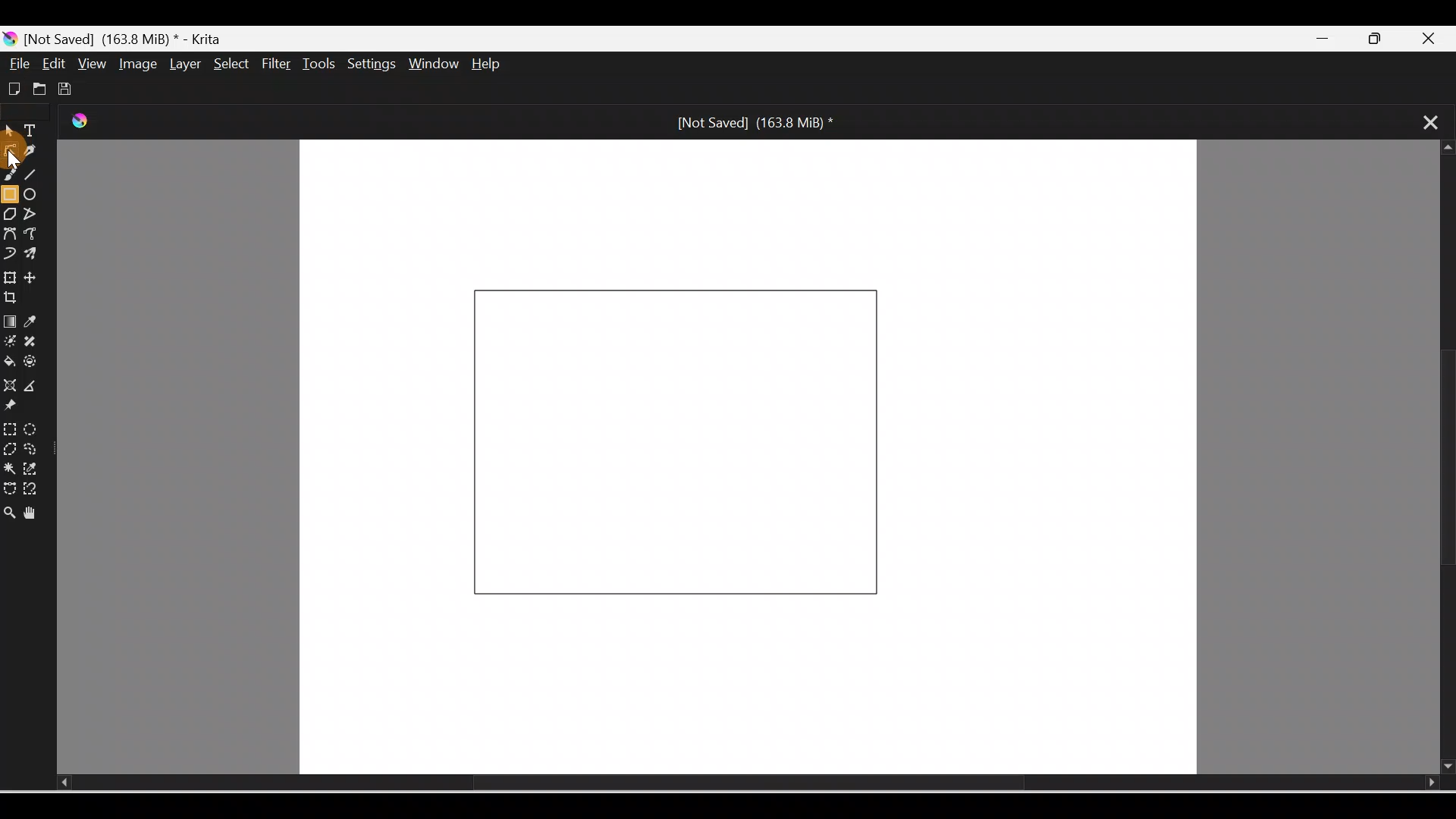 This screenshot has width=1456, height=819. What do you see at coordinates (681, 441) in the screenshot?
I see `Rectangle on Canvas` at bounding box center [681, 441].